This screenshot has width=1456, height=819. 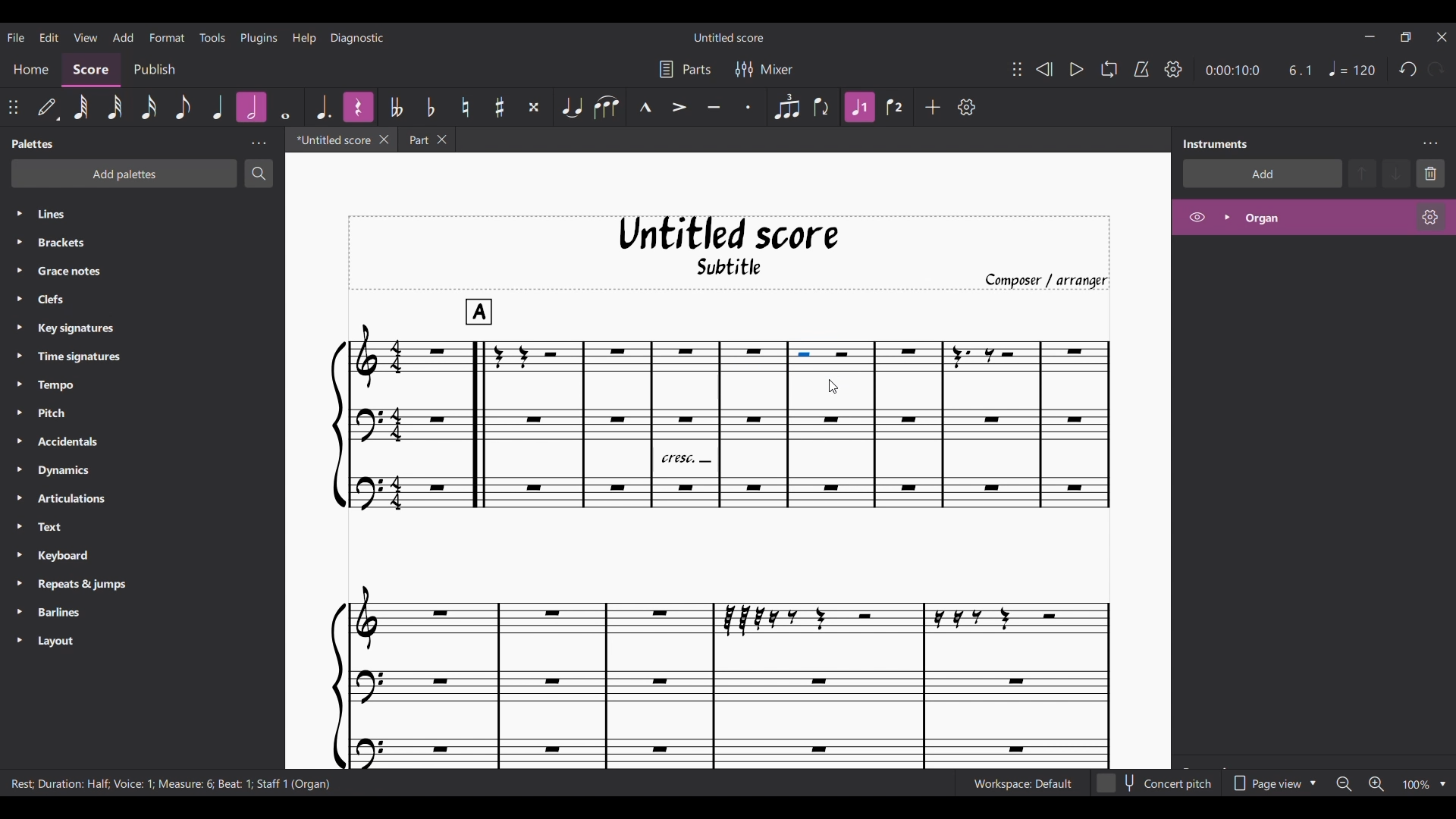 I want to click on Move selection up, so click(x=1363, y=173).